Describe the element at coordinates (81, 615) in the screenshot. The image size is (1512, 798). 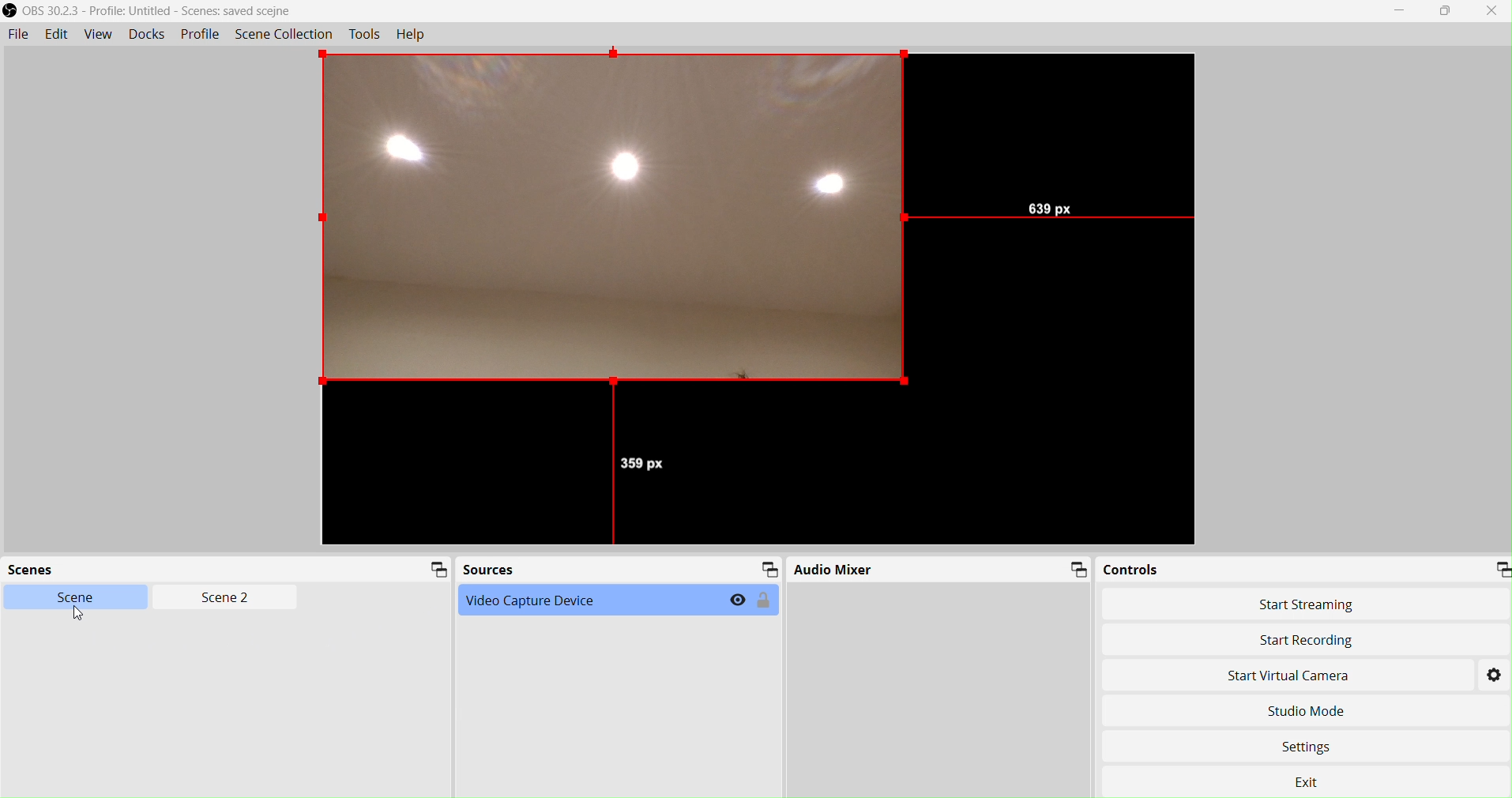
I see `cursor` at that location.